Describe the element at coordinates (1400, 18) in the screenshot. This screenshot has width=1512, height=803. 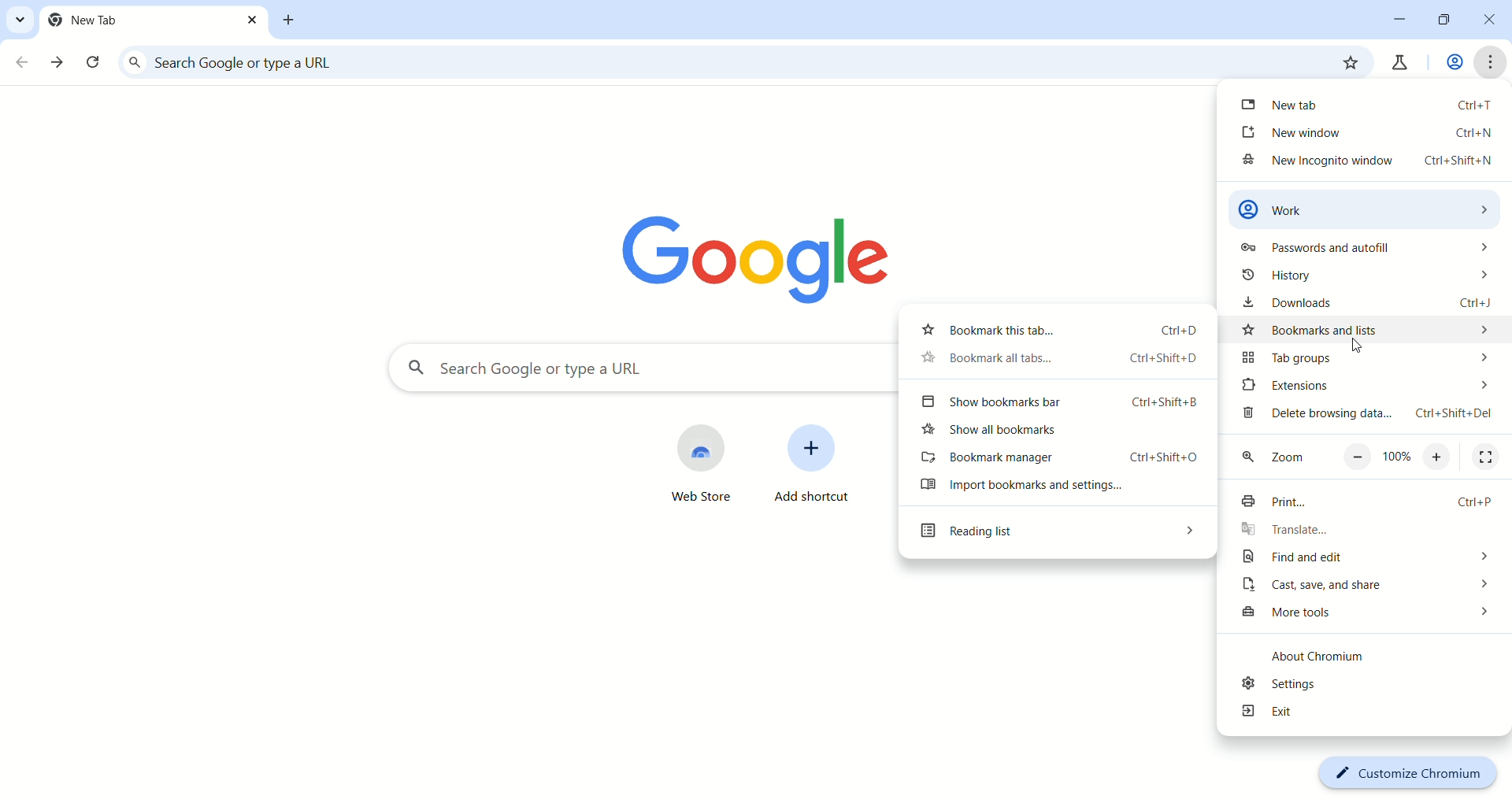
I see `minimize` at that location.